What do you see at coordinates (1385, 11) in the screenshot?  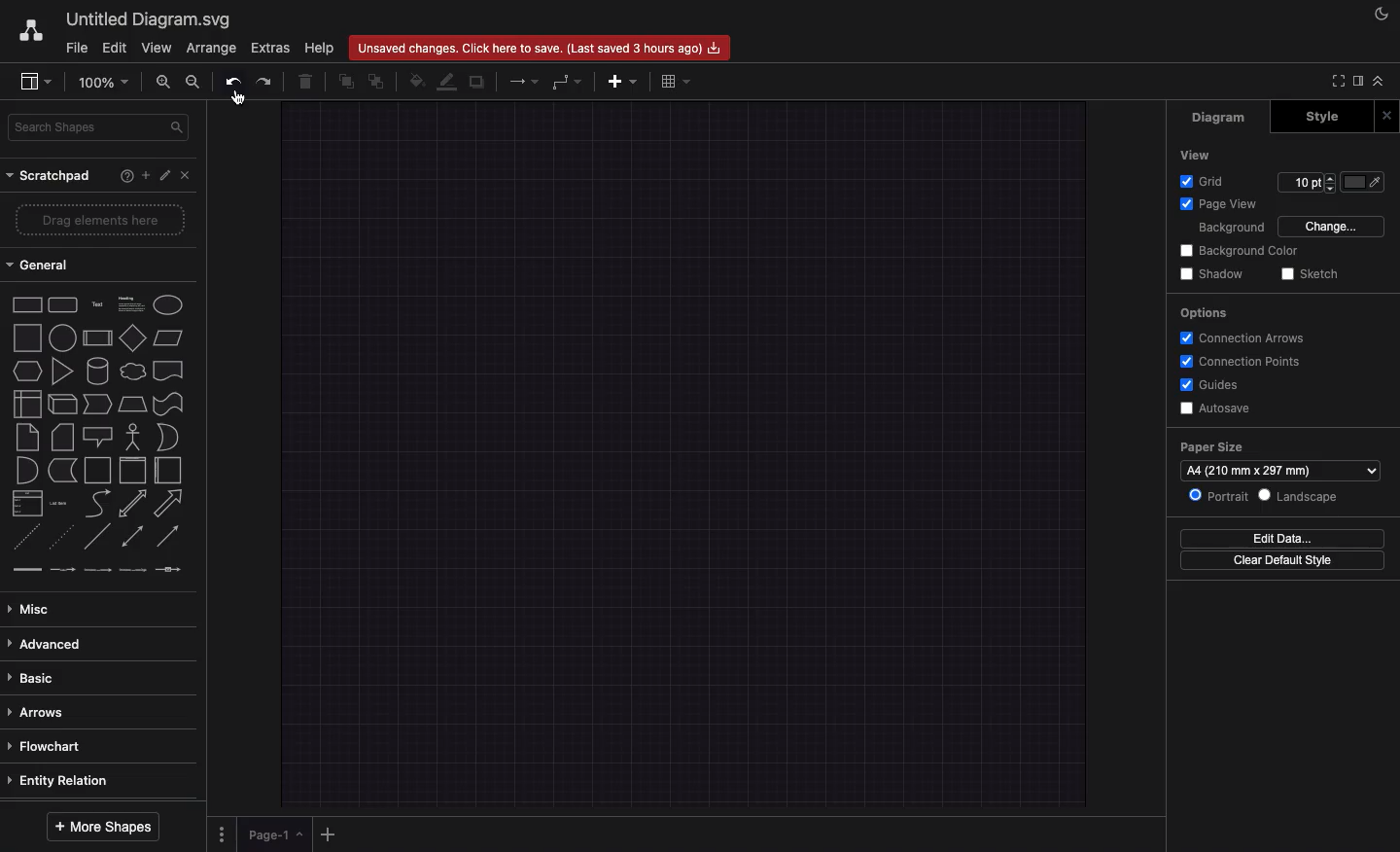 I see `Night mode` at bounding box center [1385, 11].